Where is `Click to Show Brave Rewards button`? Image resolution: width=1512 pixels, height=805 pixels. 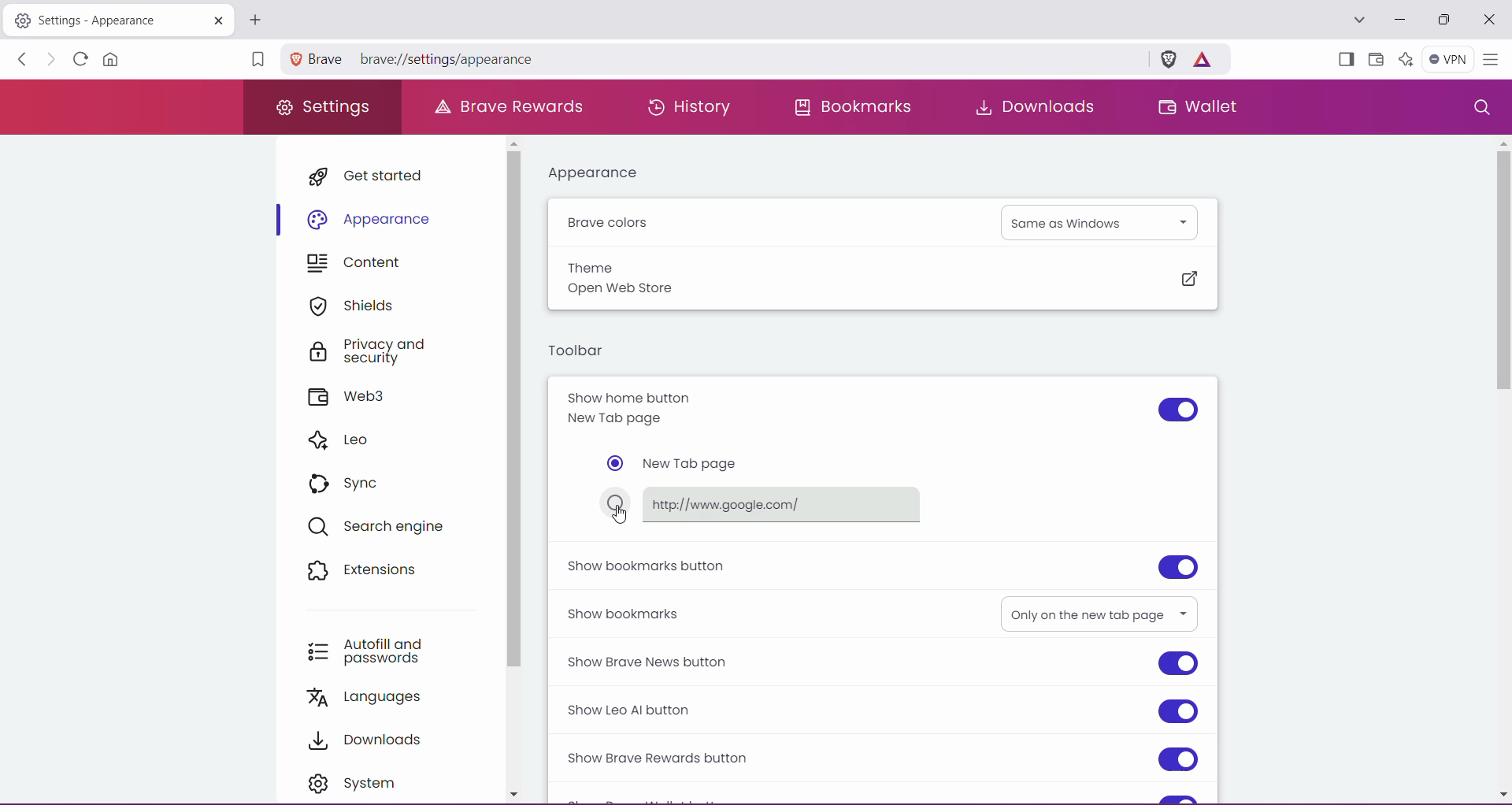 Click to Show Brave Rewards button is located at coordinates (1177, 760).